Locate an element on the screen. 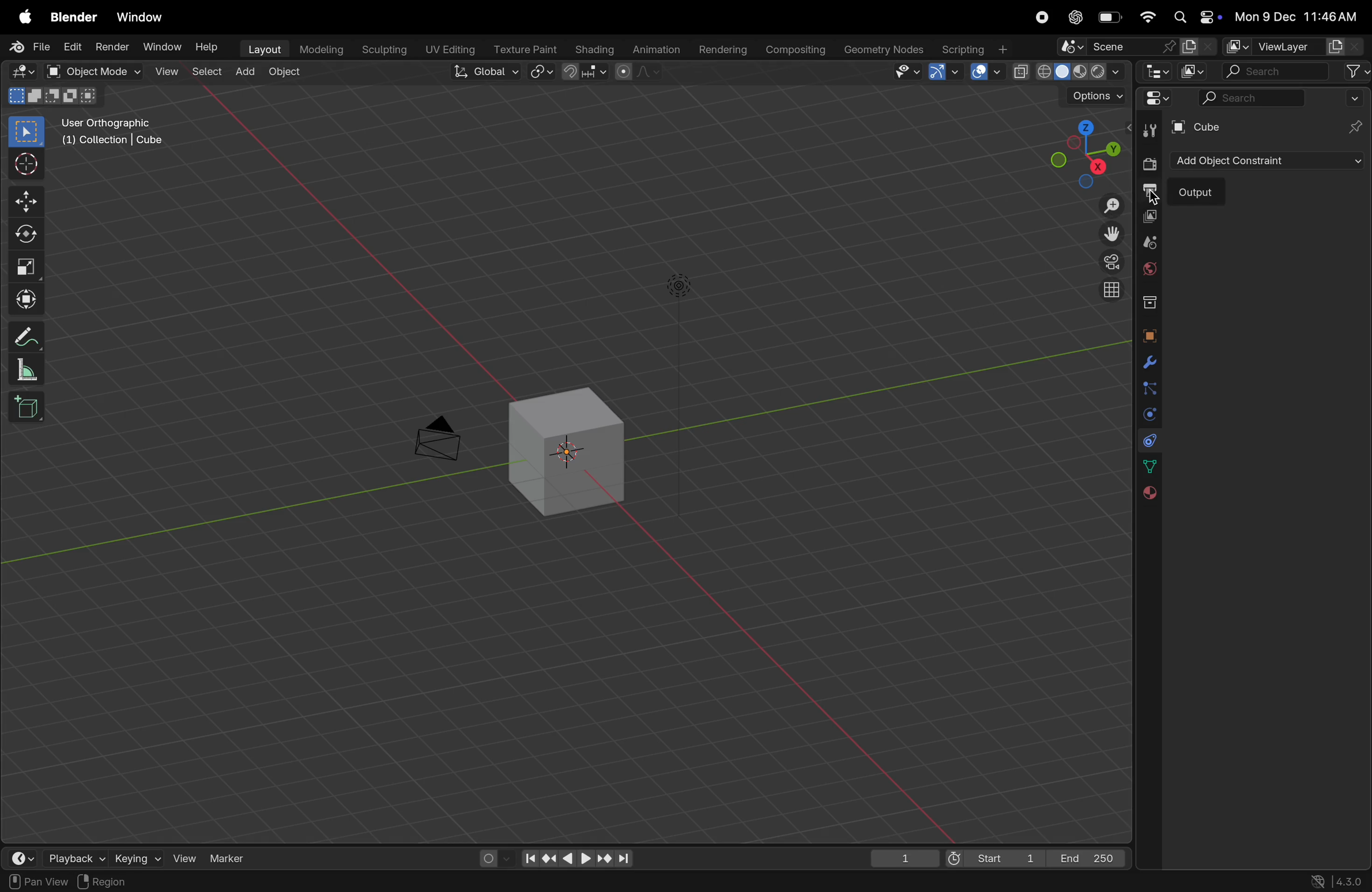  zoom in out is located at coordinates (1106, 206).